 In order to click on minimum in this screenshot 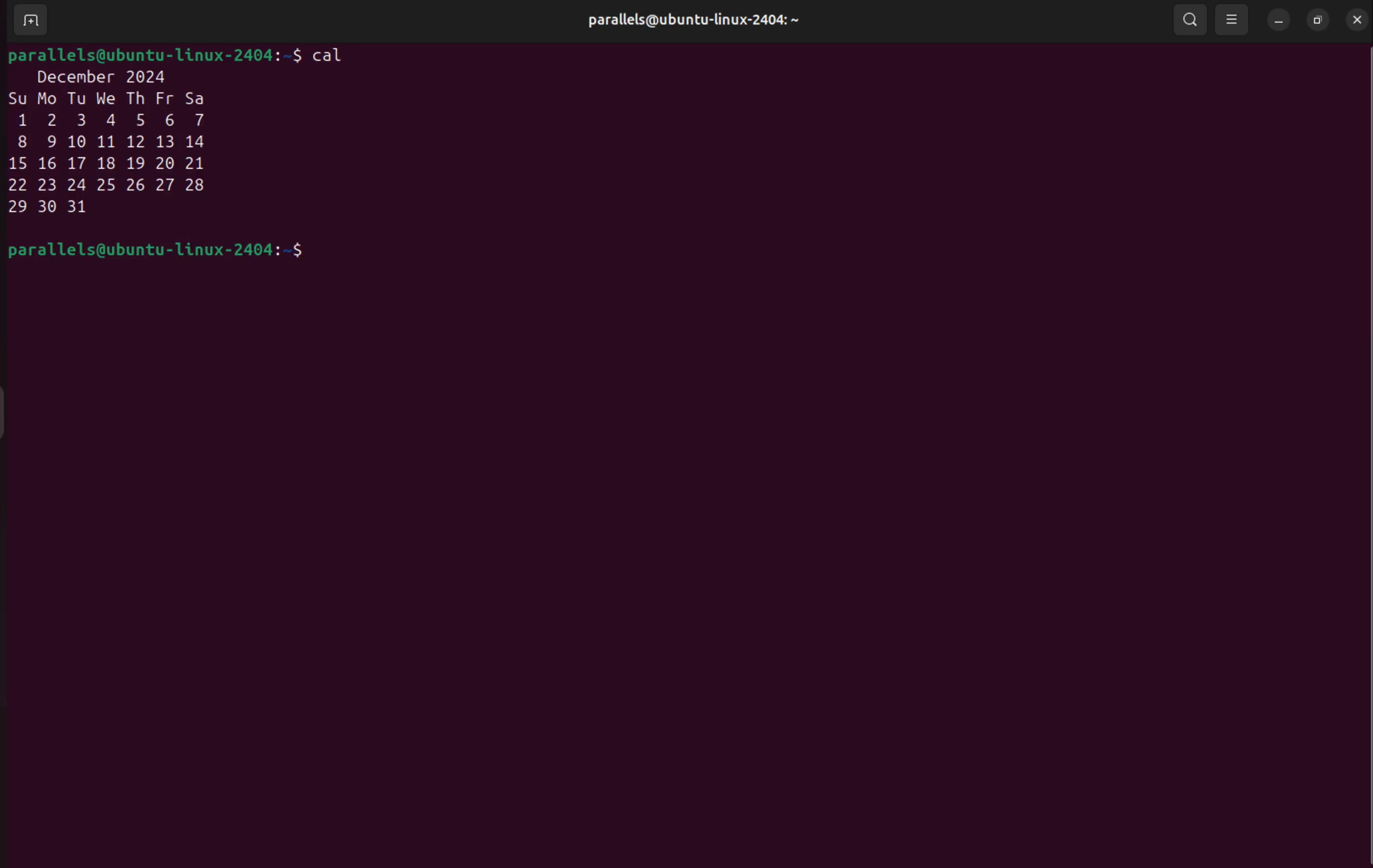, I will do `click(1279, 20)`.